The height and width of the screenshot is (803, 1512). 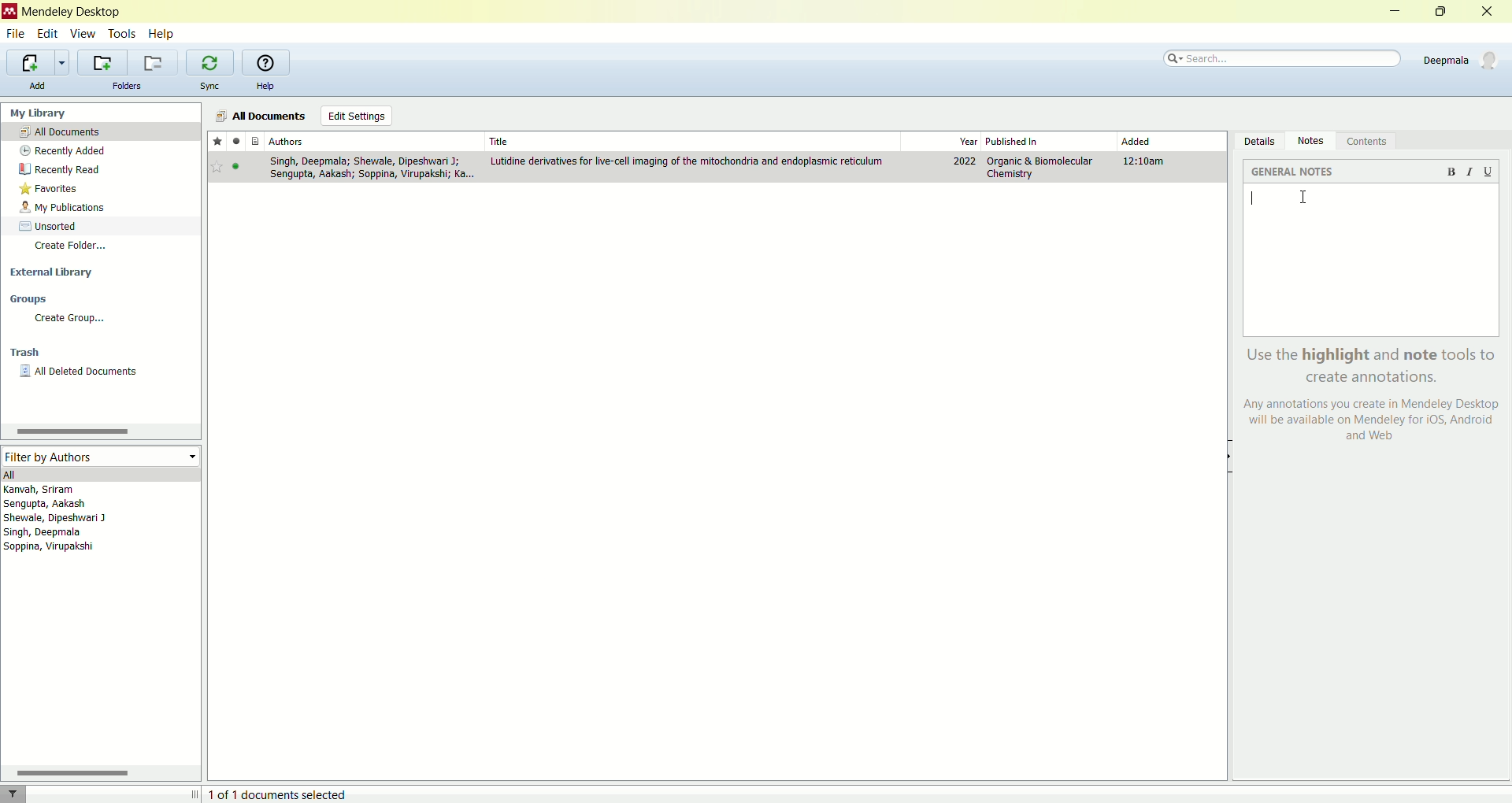 What do you see at coordinates (99, 151) in the screenshot?
I see `recently added` at bounding box center [99, 151].